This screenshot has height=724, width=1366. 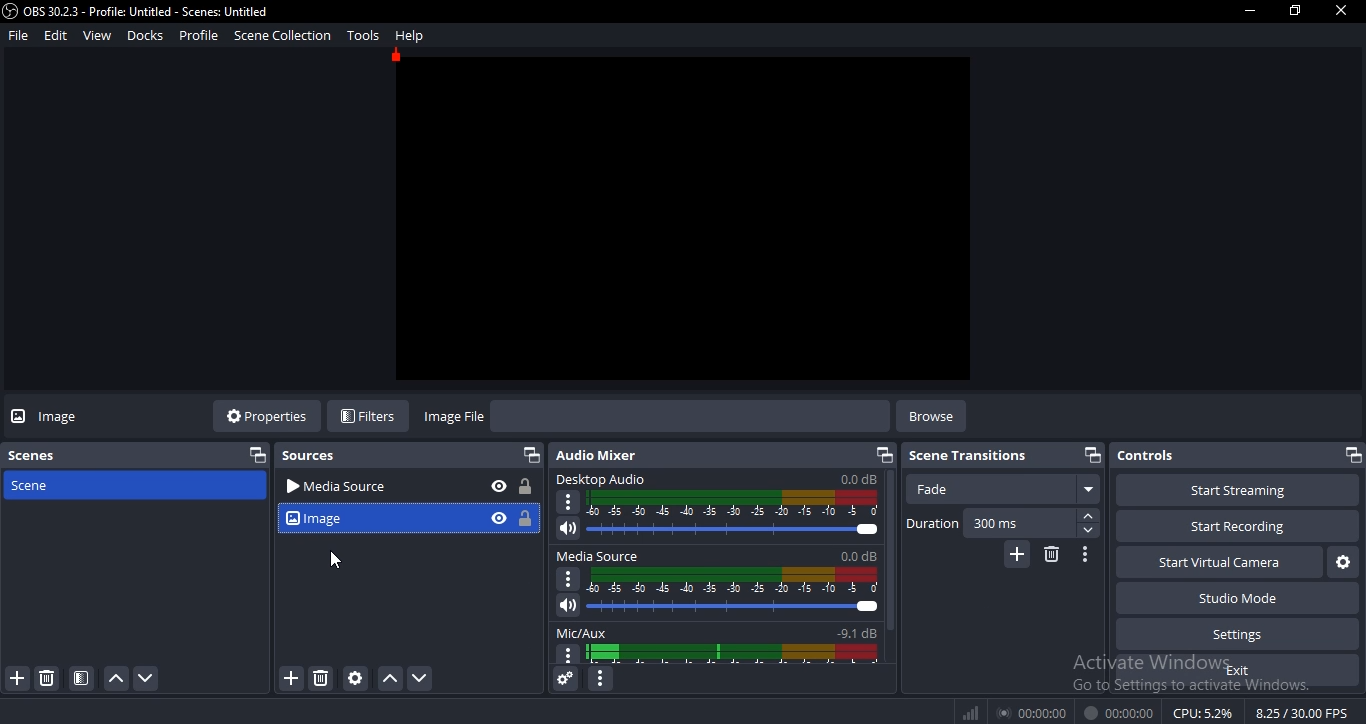 I want to click on audio mixer, so click(x=598, y=456).